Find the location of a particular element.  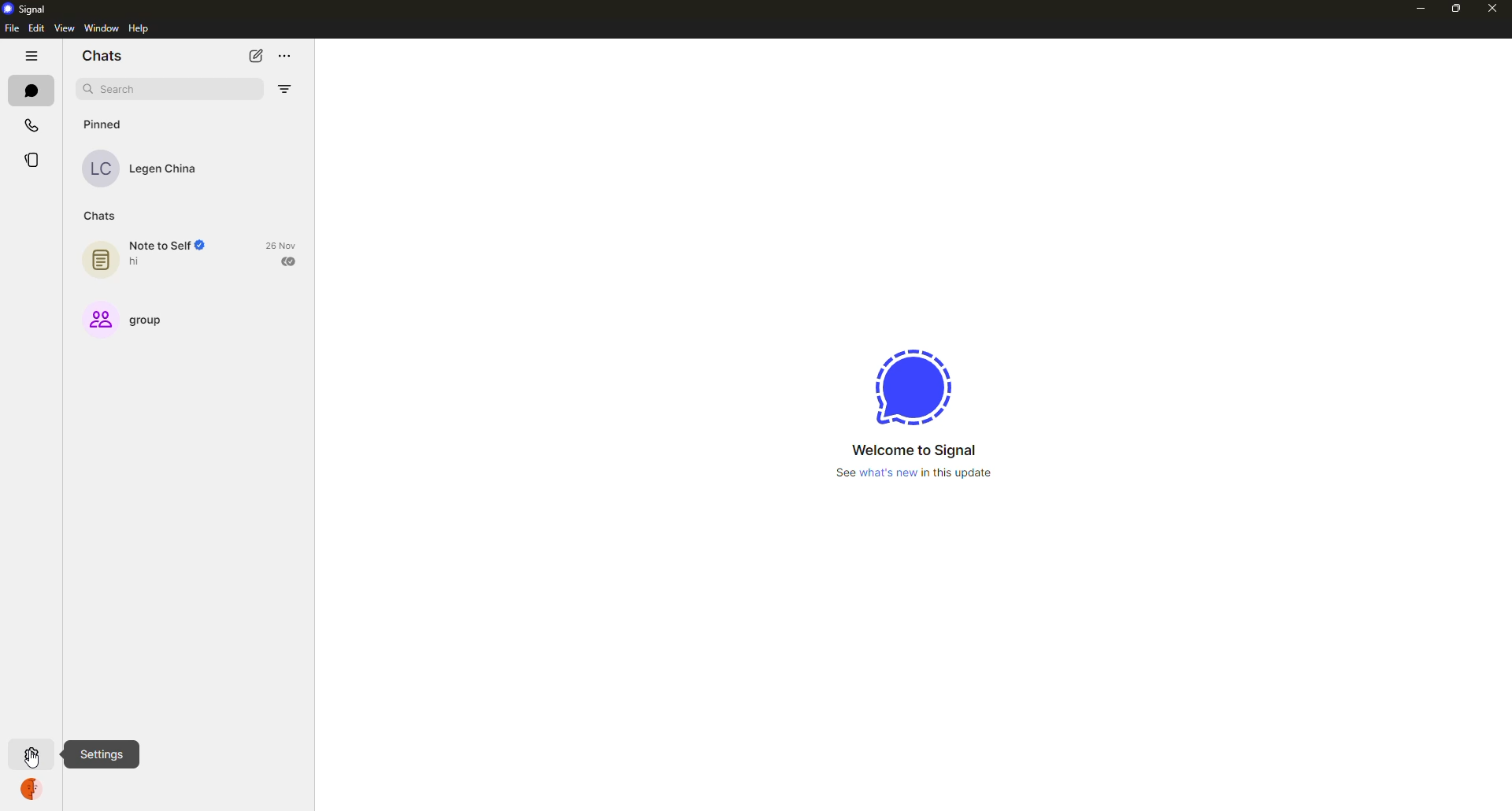

search is located at coordinates (121, 90).